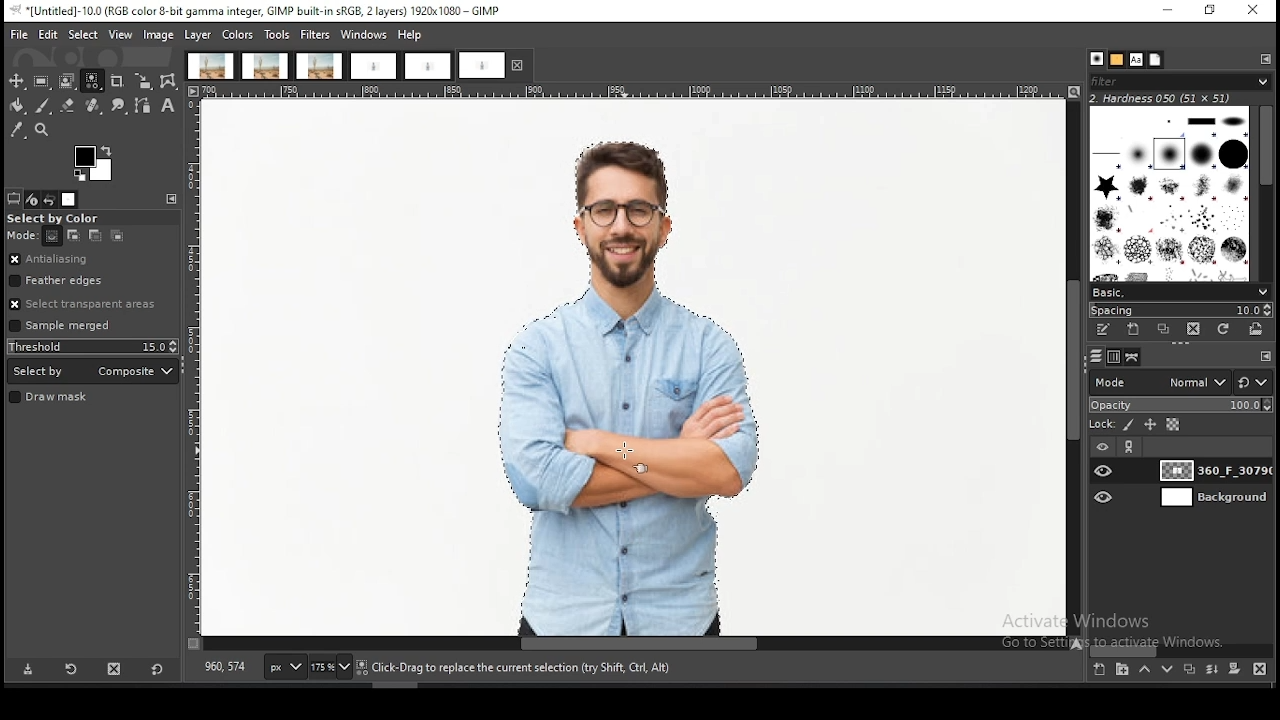 The width and height of the screenshot is (1280, 720). Describe the element at coordinates (1102, 330) in the screenshot. I see `edit this brush` at that location.